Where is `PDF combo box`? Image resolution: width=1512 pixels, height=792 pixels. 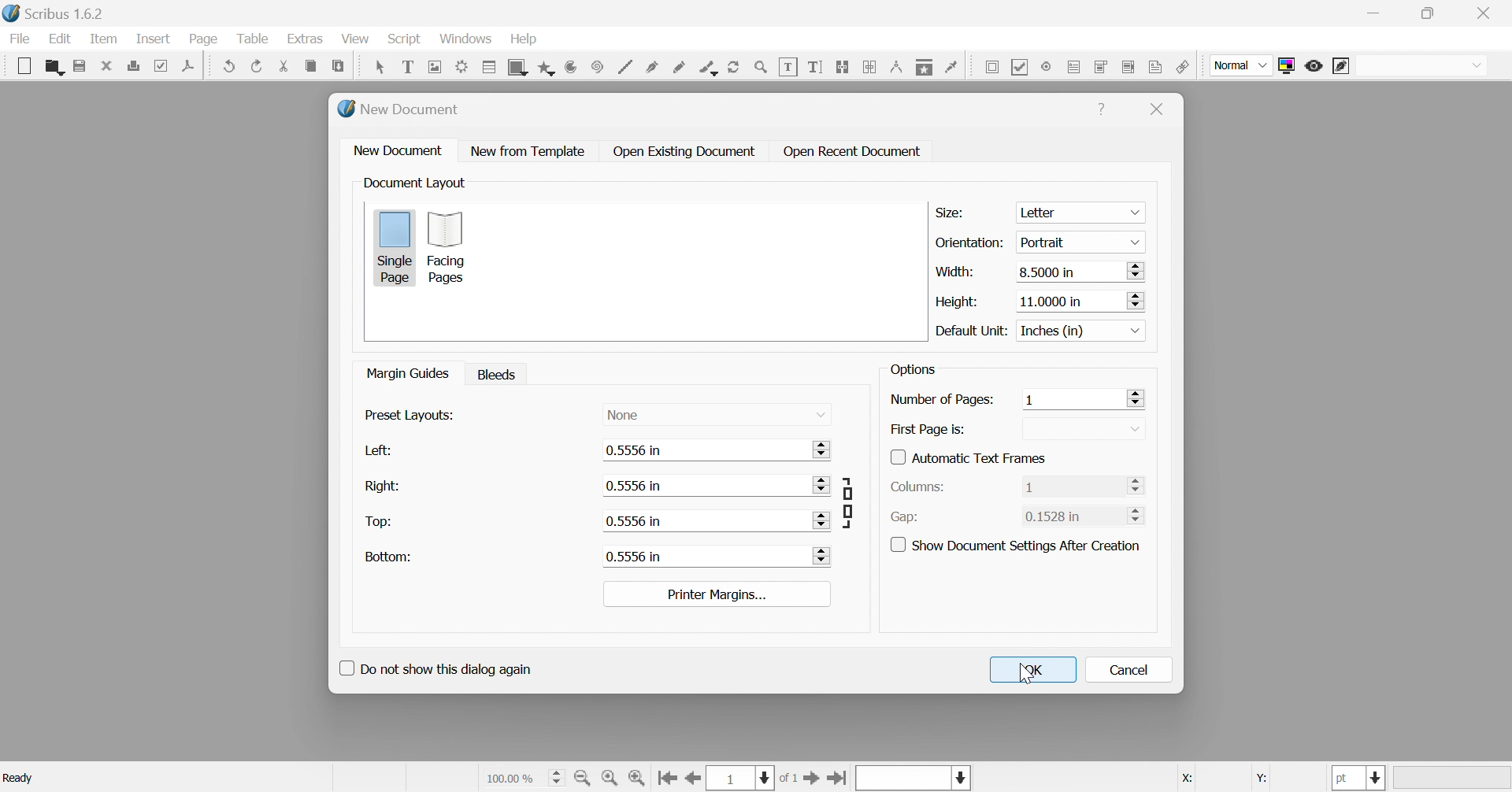
PDF combo box is located at coordinates (1100, 67).